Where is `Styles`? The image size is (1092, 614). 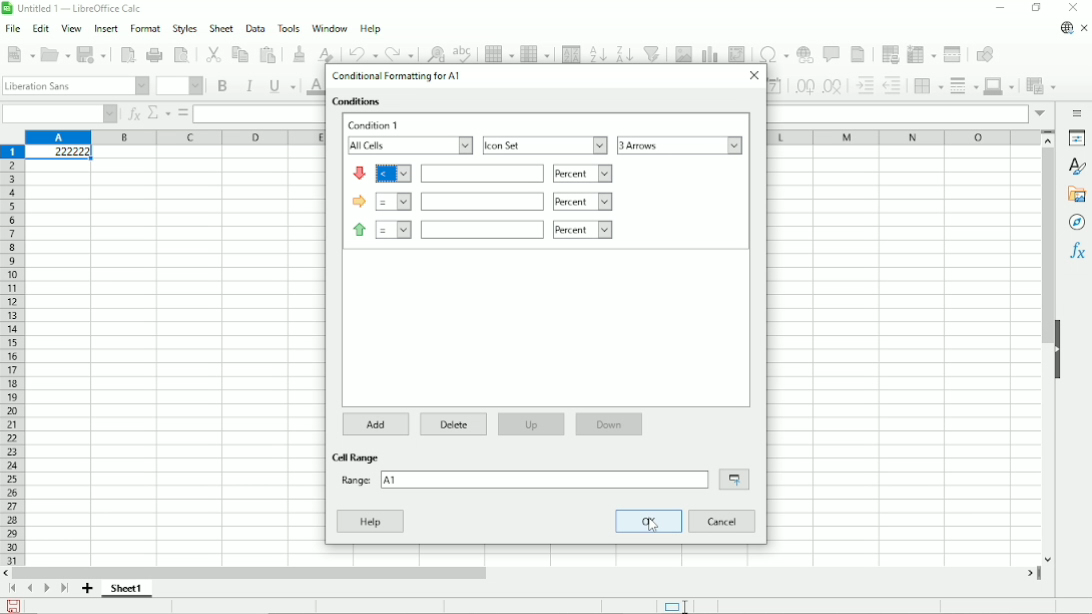 Styles is located at coordinates (184, 28).